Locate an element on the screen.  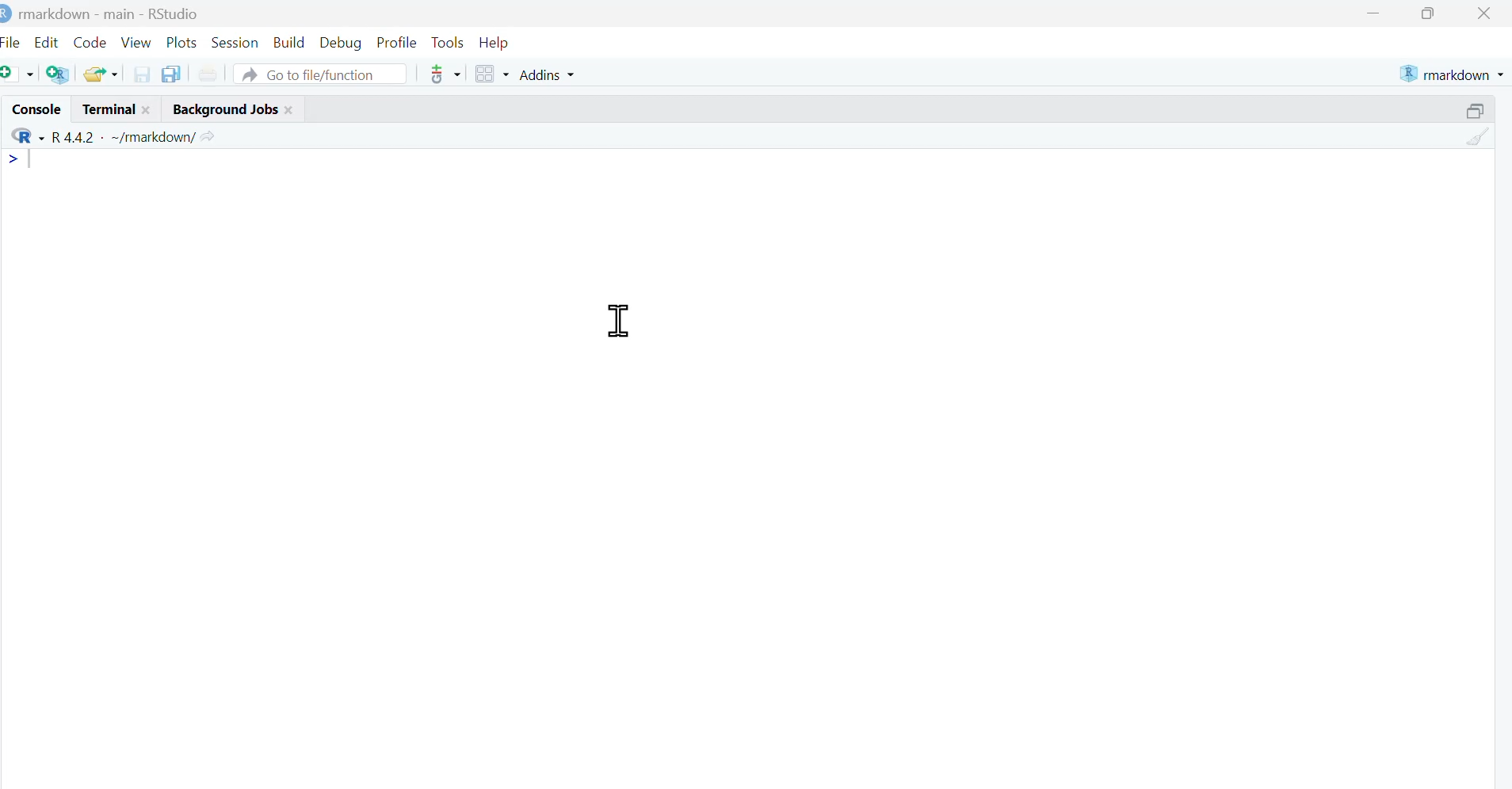
view current working directory is located at coordinates (208, 135).